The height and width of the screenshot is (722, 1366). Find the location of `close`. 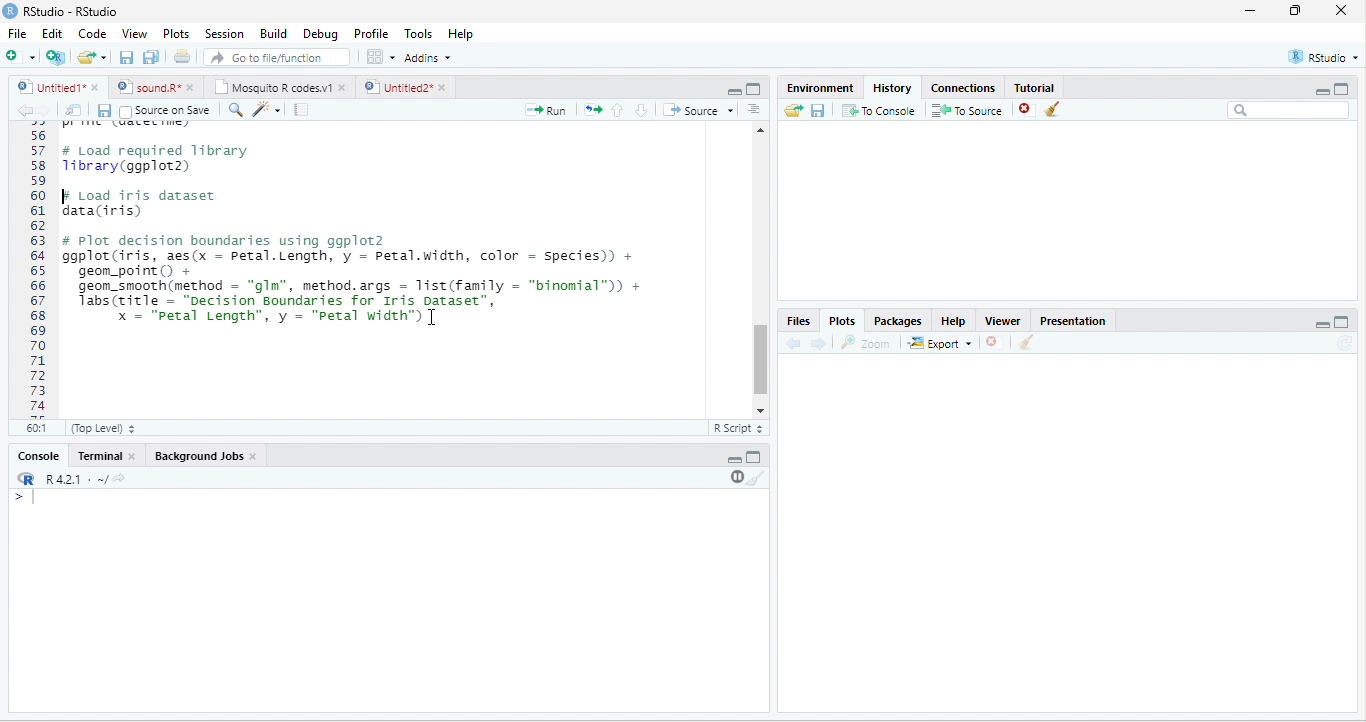

close is located at coordinates (991, 342).